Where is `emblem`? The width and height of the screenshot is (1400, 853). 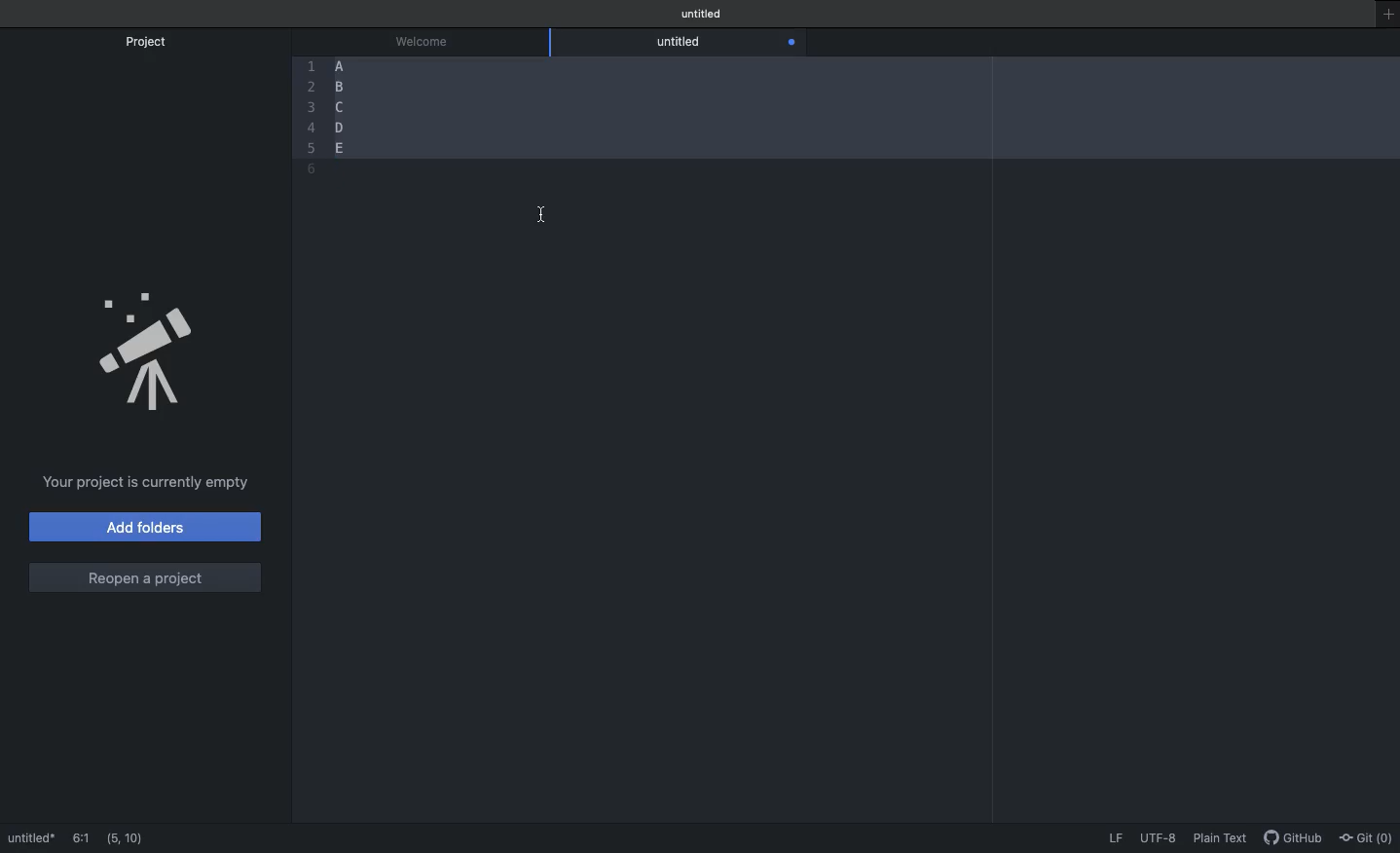
emblem is located at coordinates (155, 355).